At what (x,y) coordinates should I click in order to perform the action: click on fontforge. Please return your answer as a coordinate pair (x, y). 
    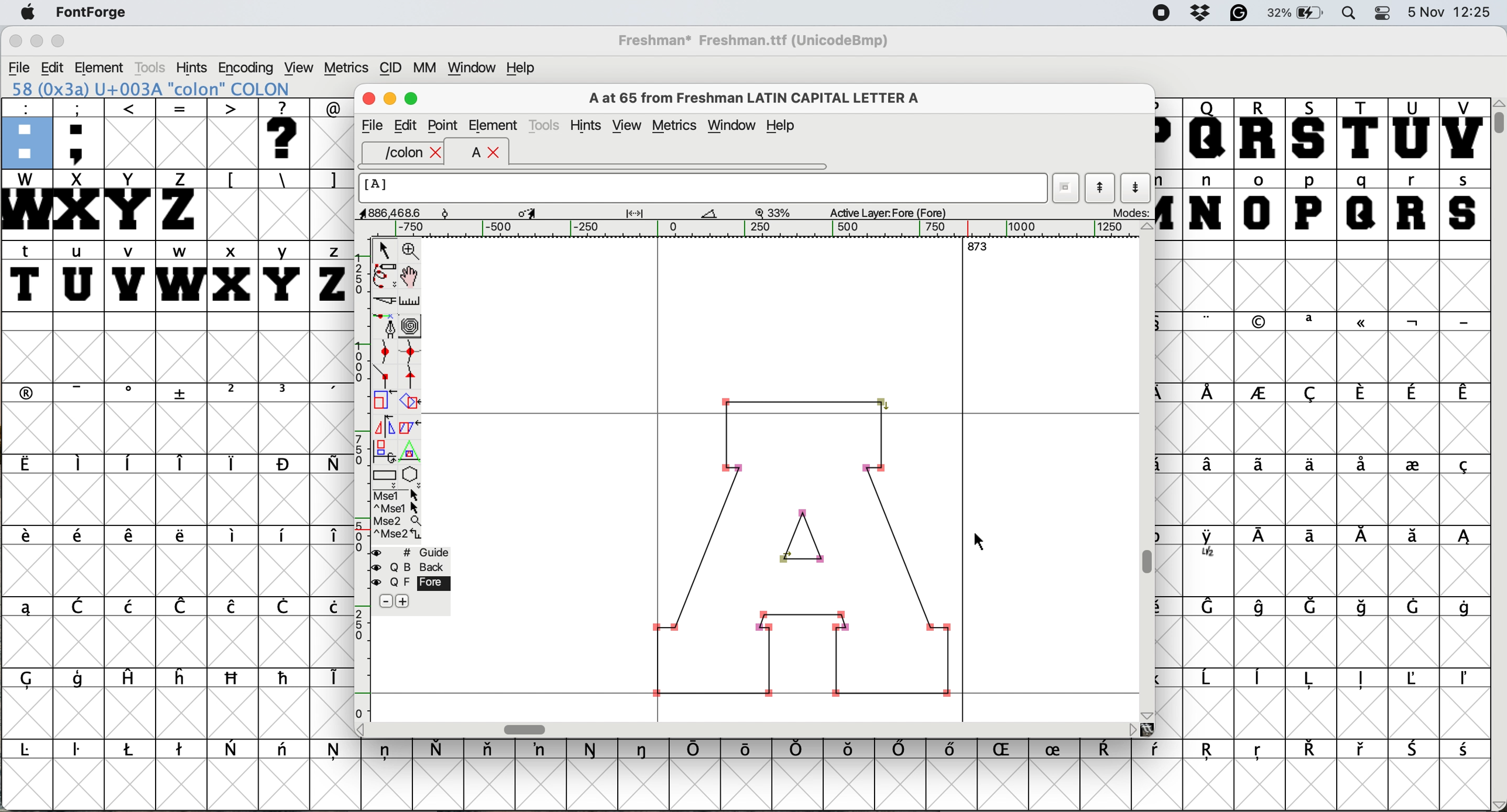
    Looking at the image, I should click on (88, 13).